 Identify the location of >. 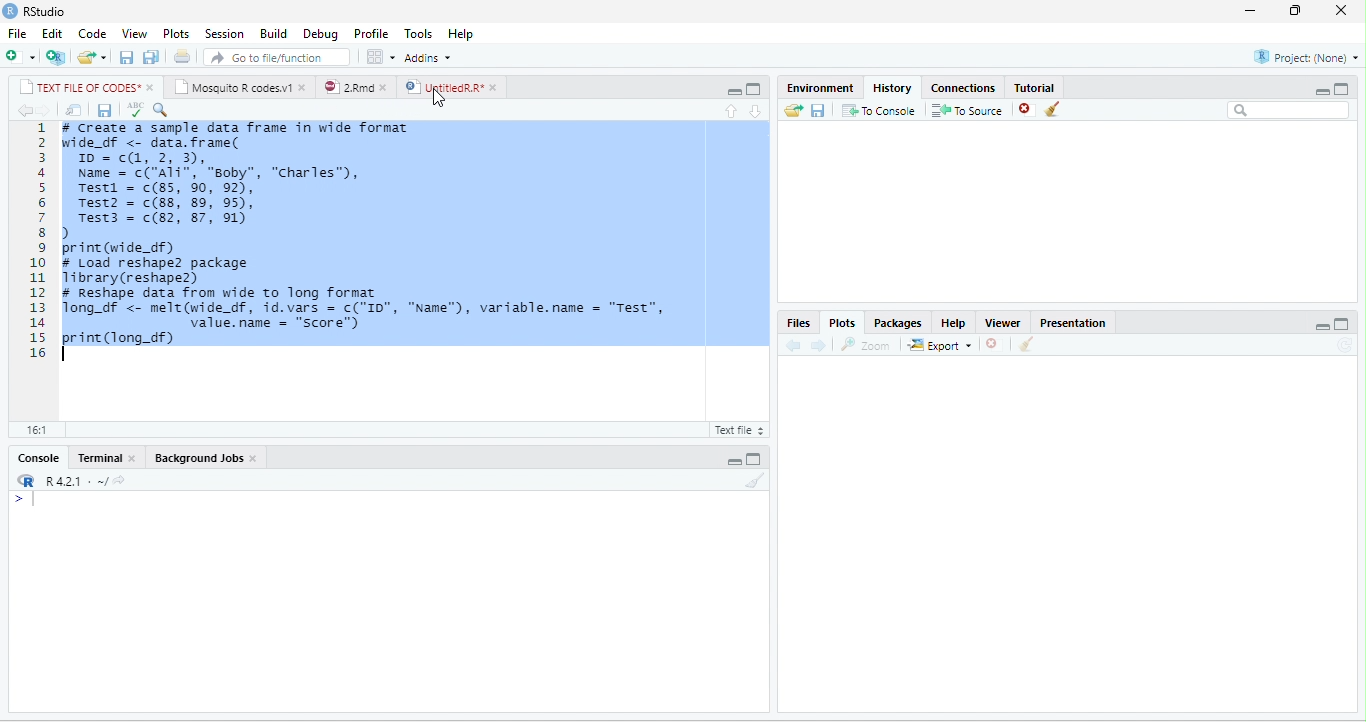
(24, 499).